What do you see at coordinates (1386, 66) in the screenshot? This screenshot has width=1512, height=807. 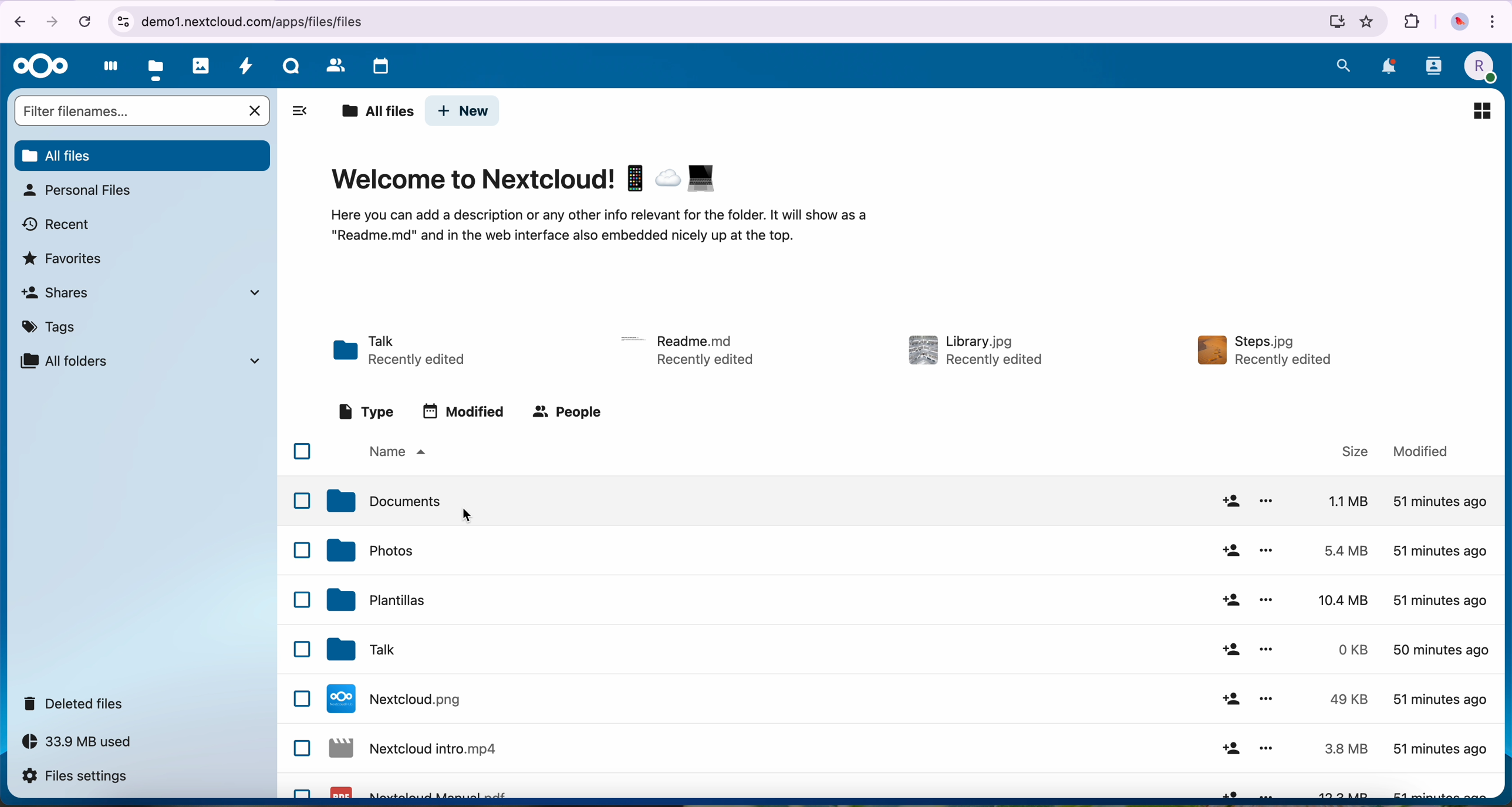 I see `notifications` at bounding box center [1386, 66].